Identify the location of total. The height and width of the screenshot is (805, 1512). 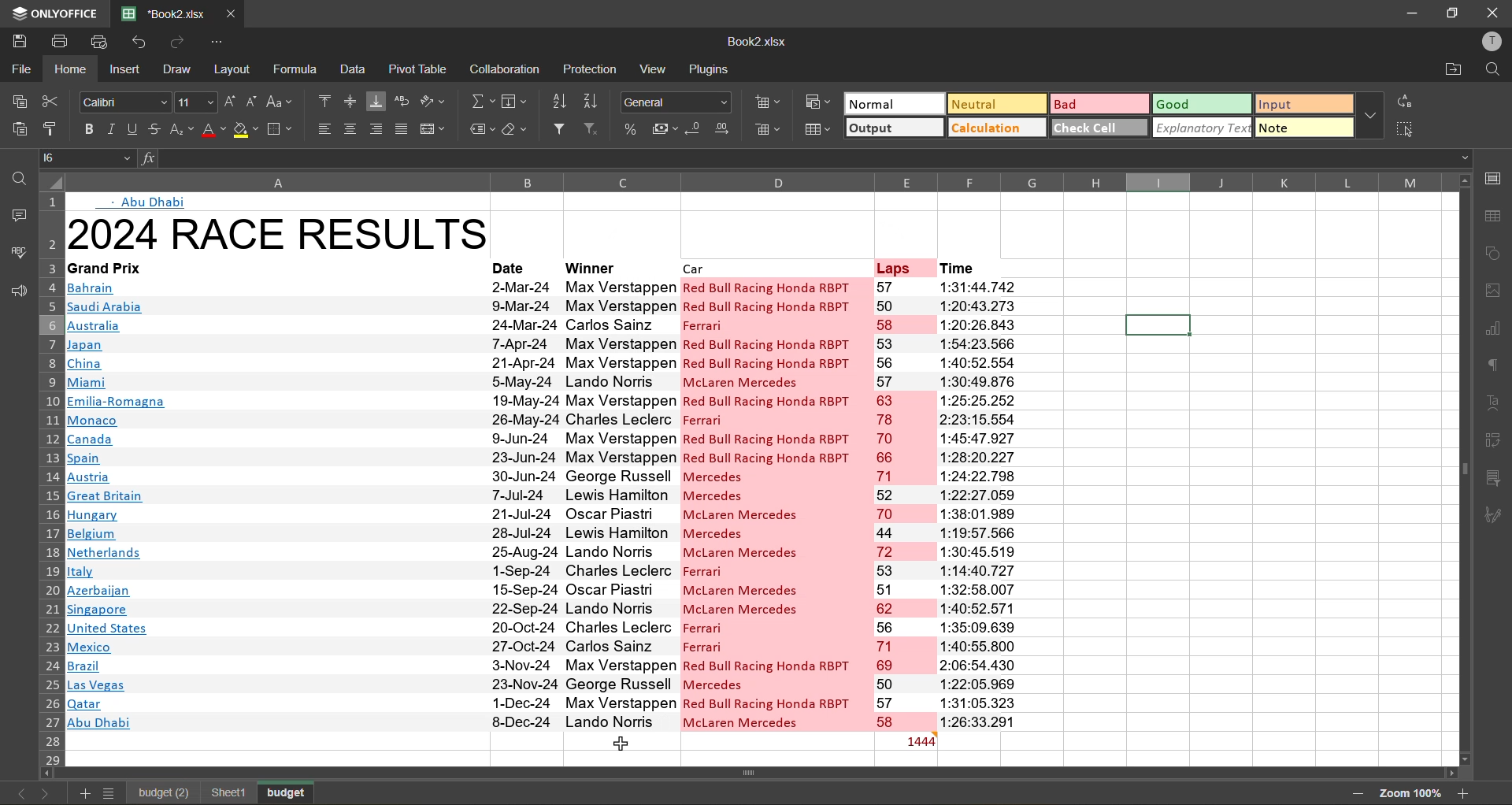
(905, 740).